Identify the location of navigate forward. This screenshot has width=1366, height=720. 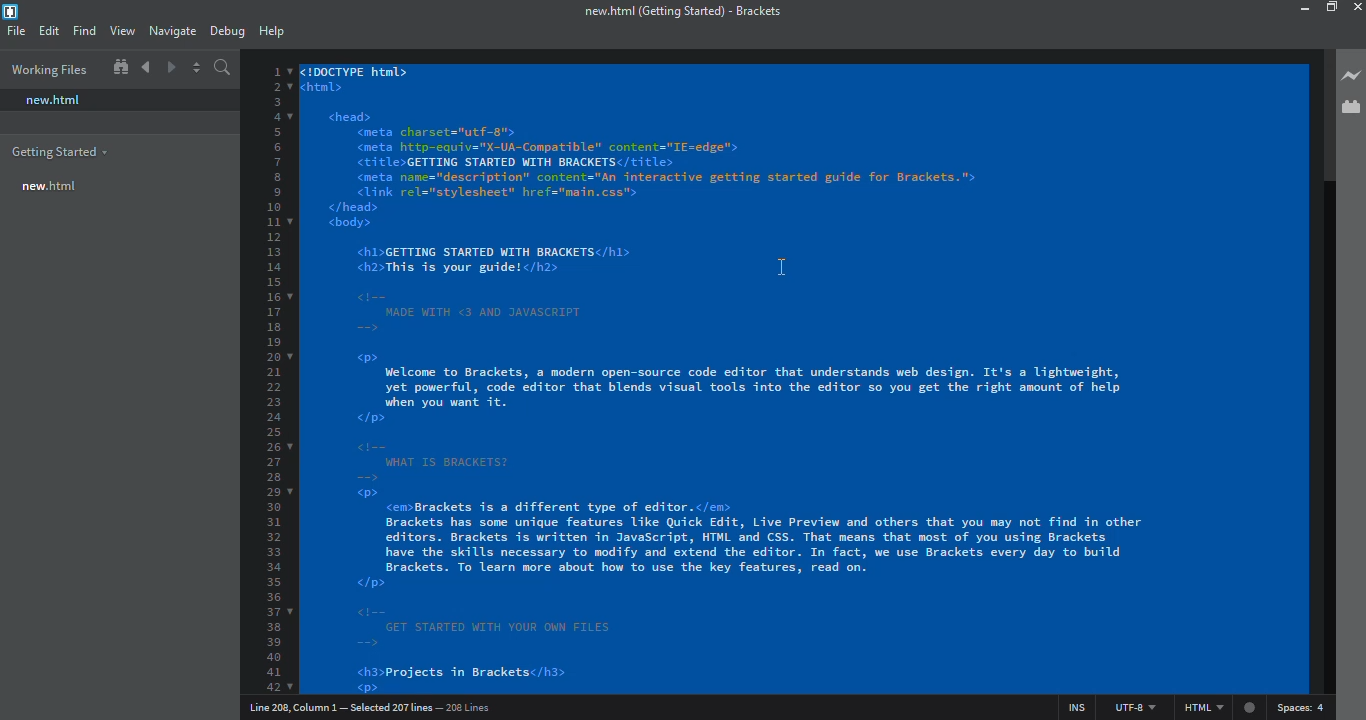
(170, 68).